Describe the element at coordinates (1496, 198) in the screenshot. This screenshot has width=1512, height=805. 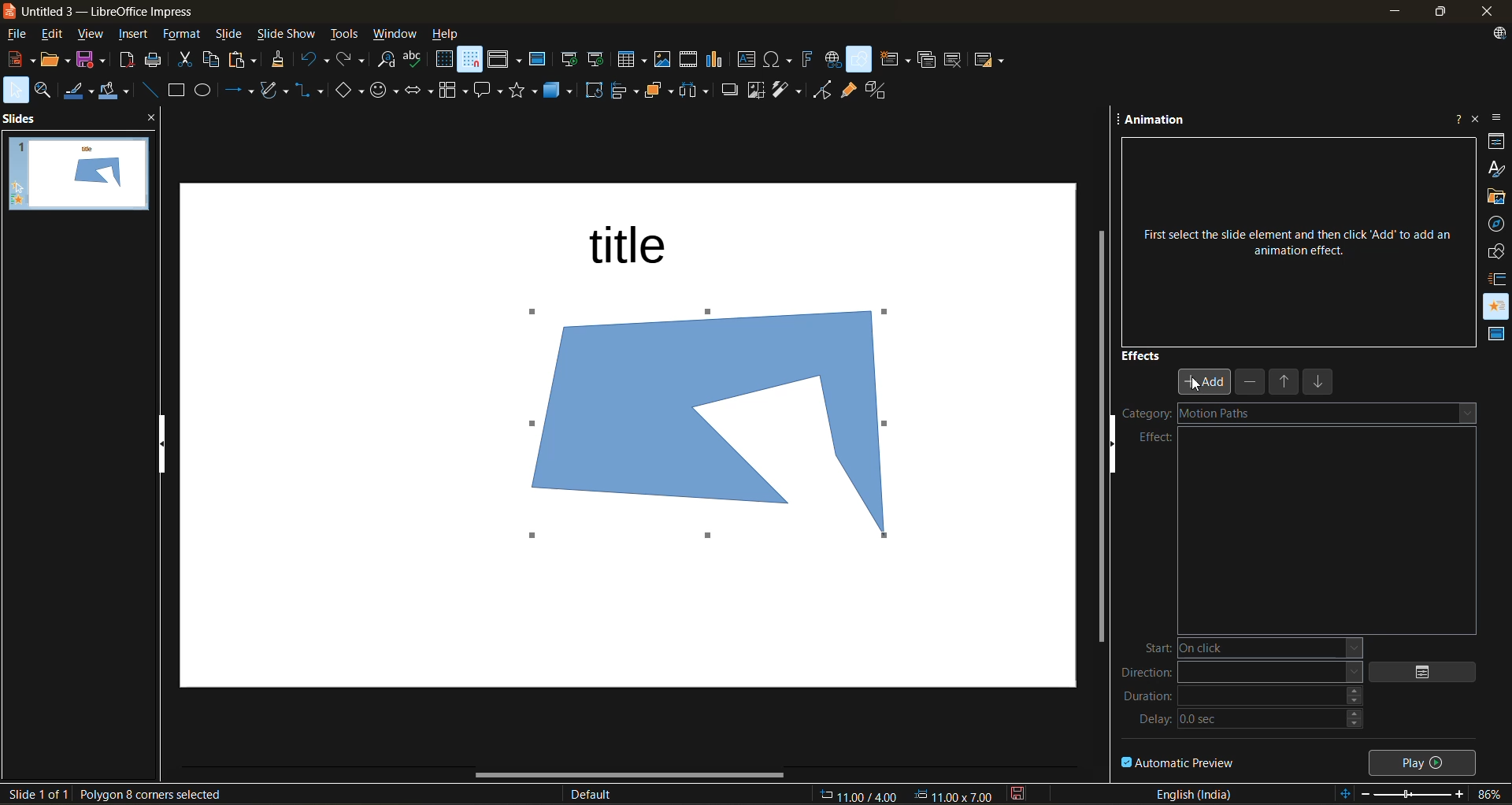
I see `gallery` at that location.